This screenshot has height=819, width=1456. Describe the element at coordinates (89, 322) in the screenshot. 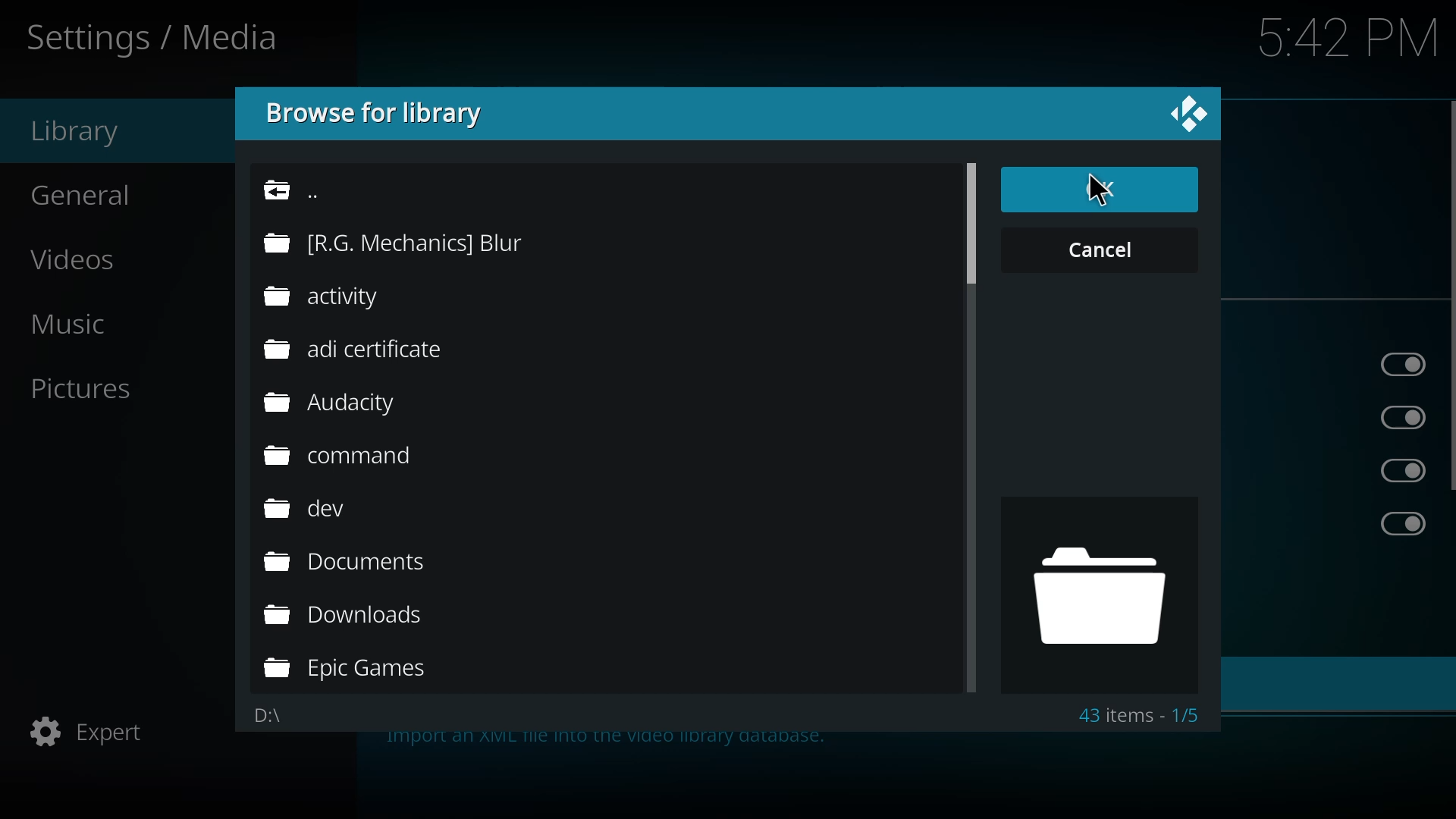

I see `music` at that location.